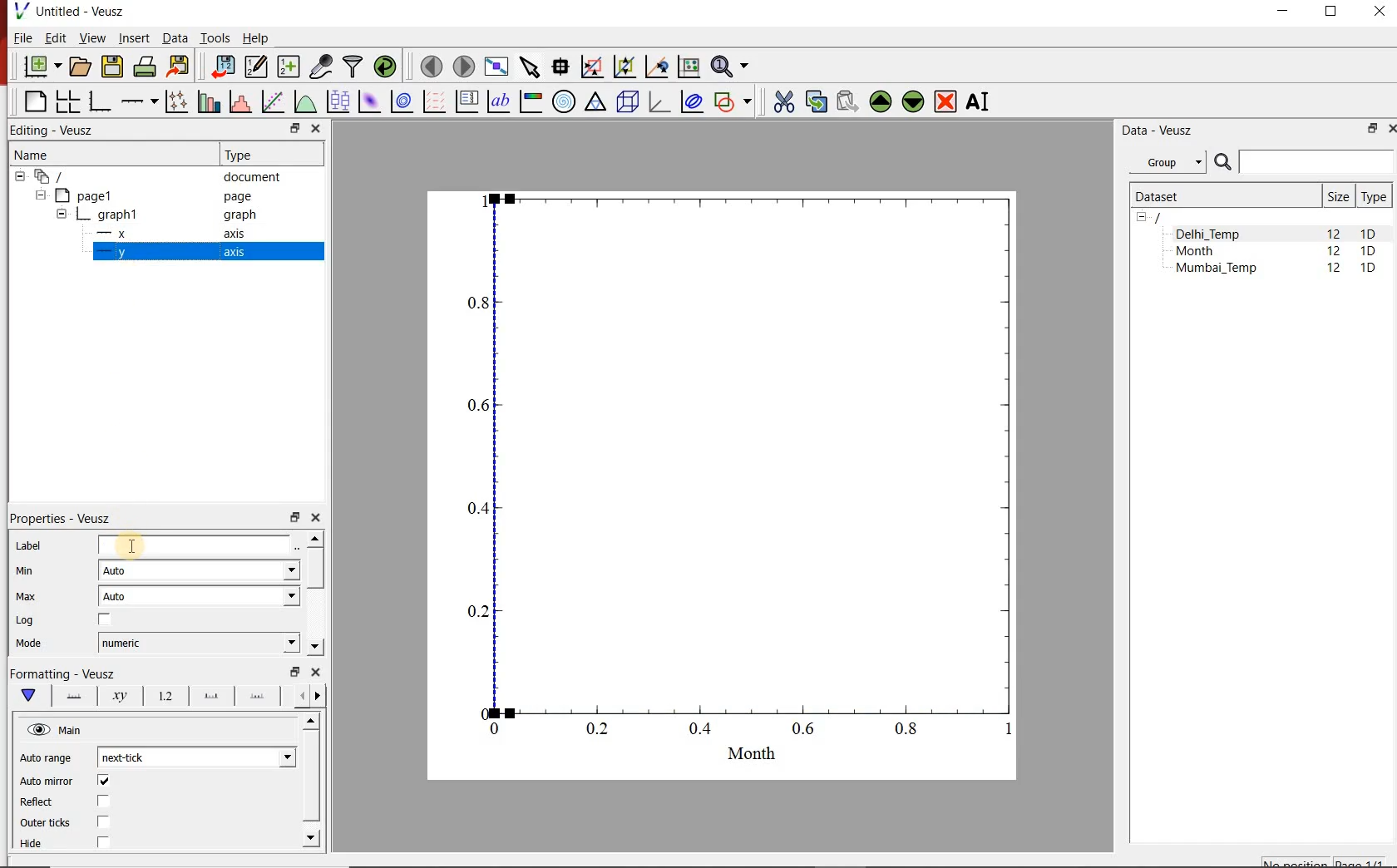  I want to click on click to recenter graph axes, so click(656, 67).